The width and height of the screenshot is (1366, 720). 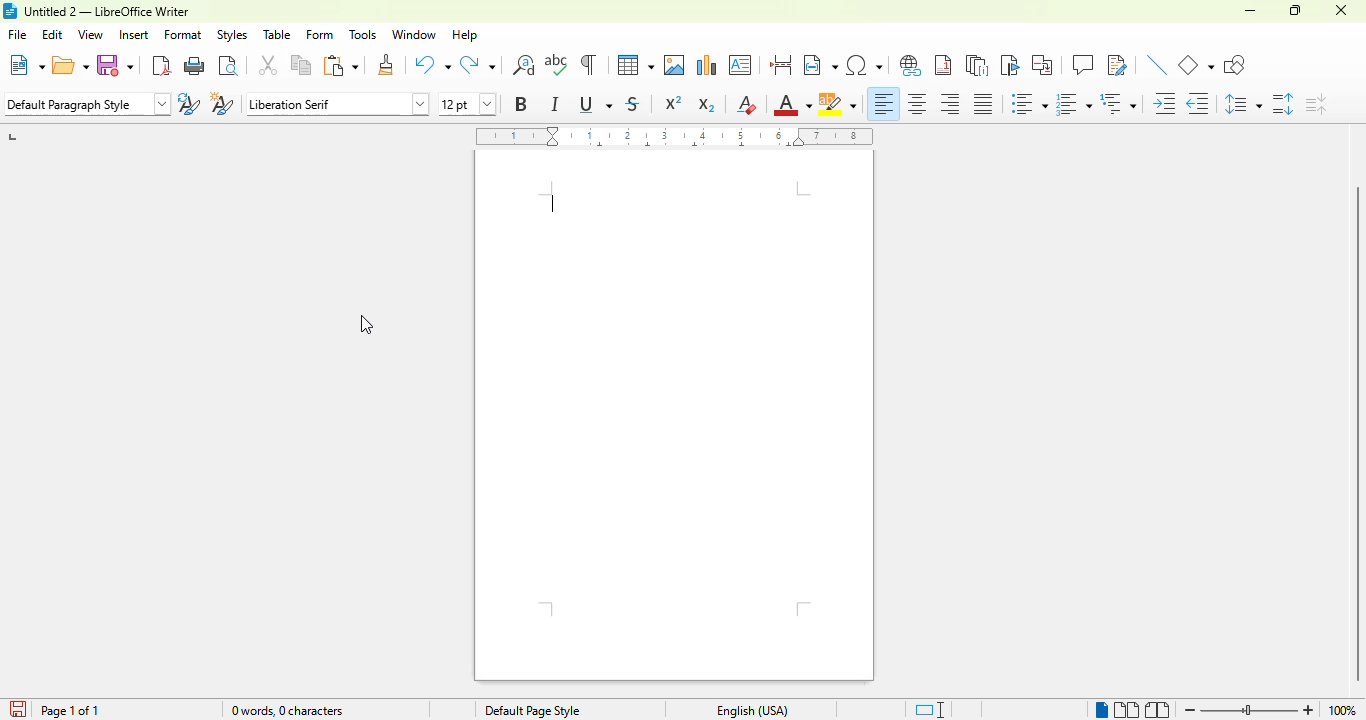 I want to click on set line spacing, so click(x=1243, y=103).